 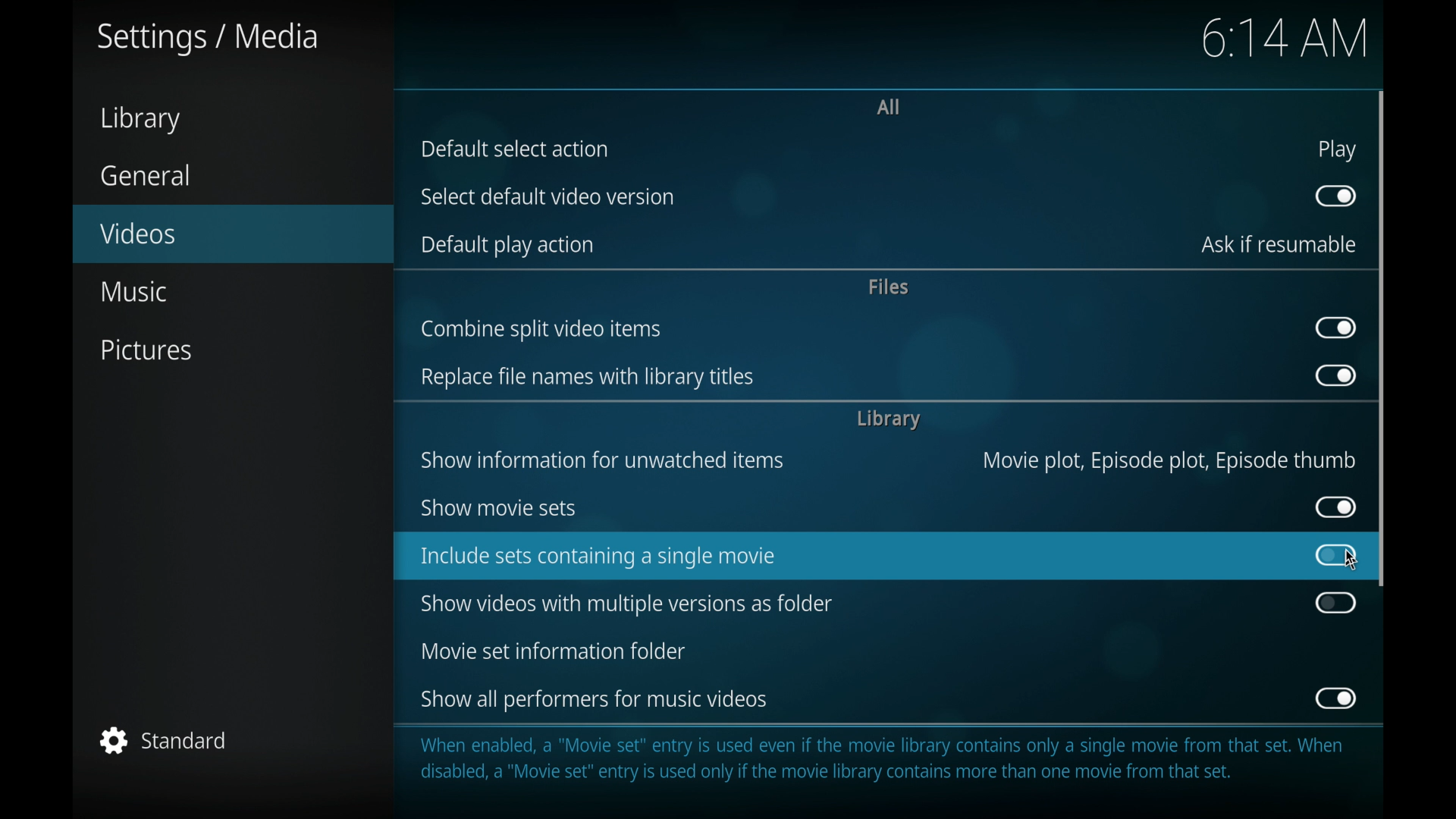 What do you see at coordinates (1335, 698) in the screenshot?
I see `toggle button` at bounding box center [1335, 698].